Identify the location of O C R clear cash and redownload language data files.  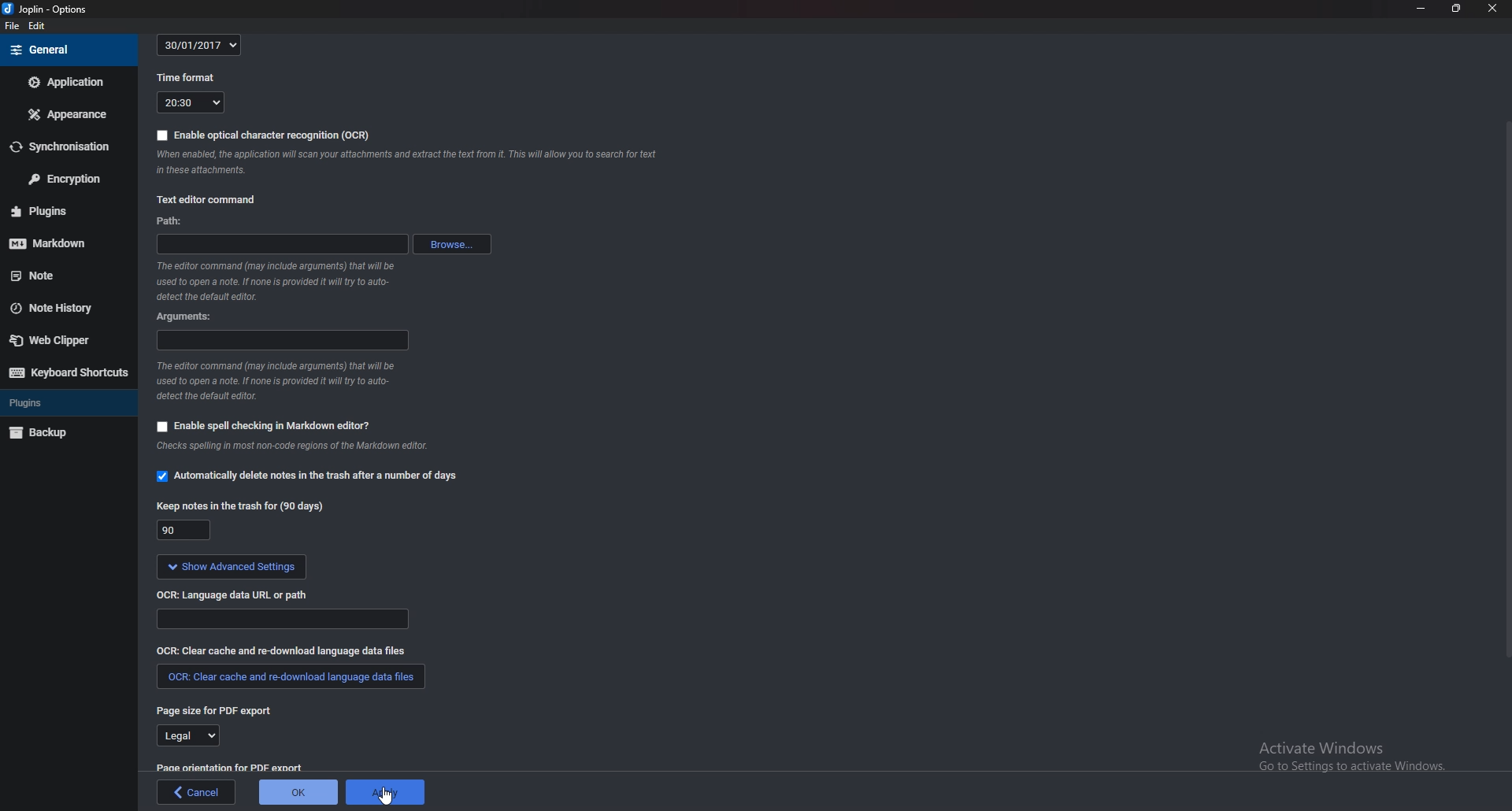
(298, 651).